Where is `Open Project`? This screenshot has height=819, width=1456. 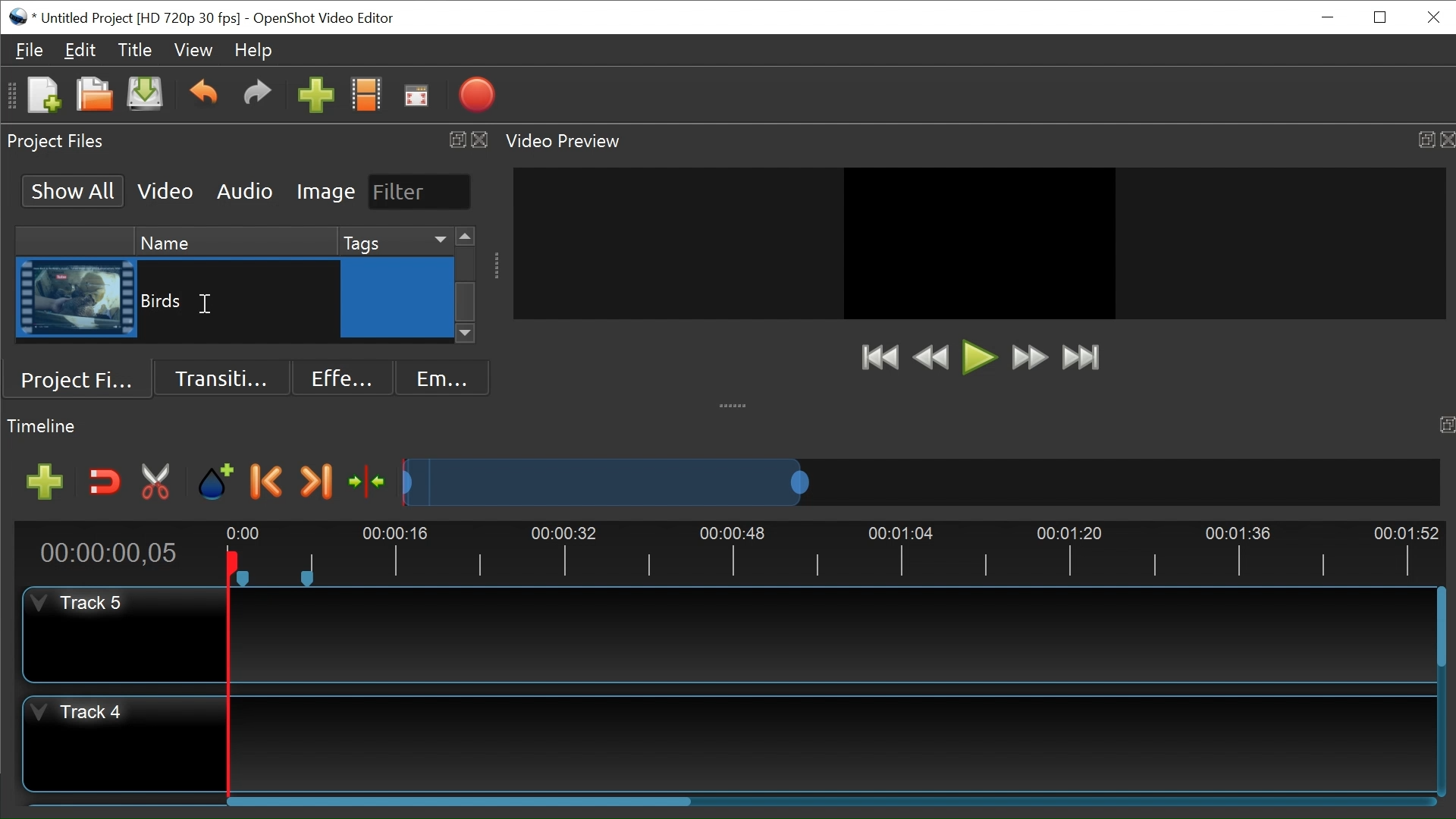 Open Project is located at coordinates (90, 94).